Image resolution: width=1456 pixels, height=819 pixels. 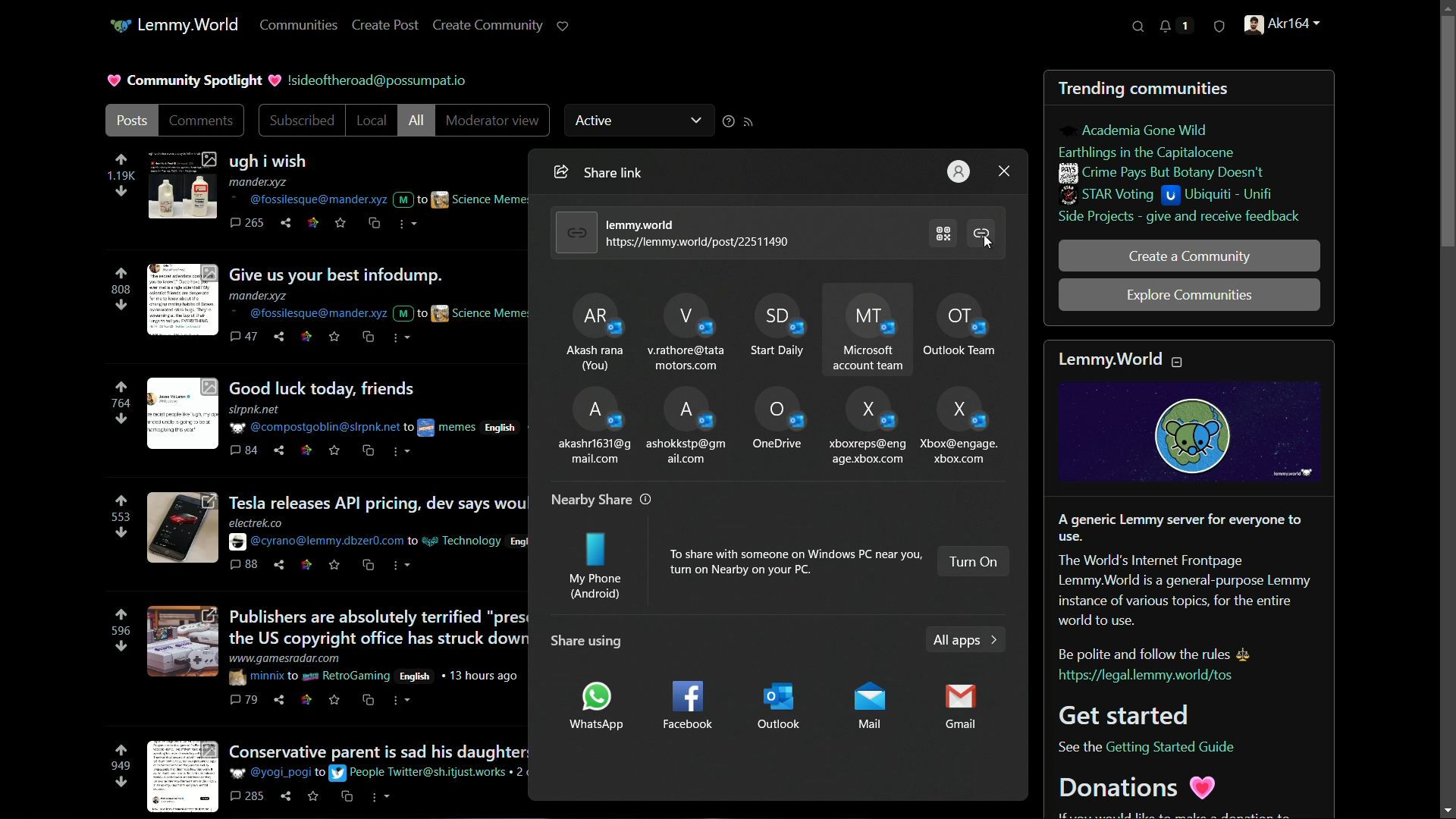 What do you see at coordinates (406, 565) in the screenshot?
I see `more actions` at bounding box center [406, 565].